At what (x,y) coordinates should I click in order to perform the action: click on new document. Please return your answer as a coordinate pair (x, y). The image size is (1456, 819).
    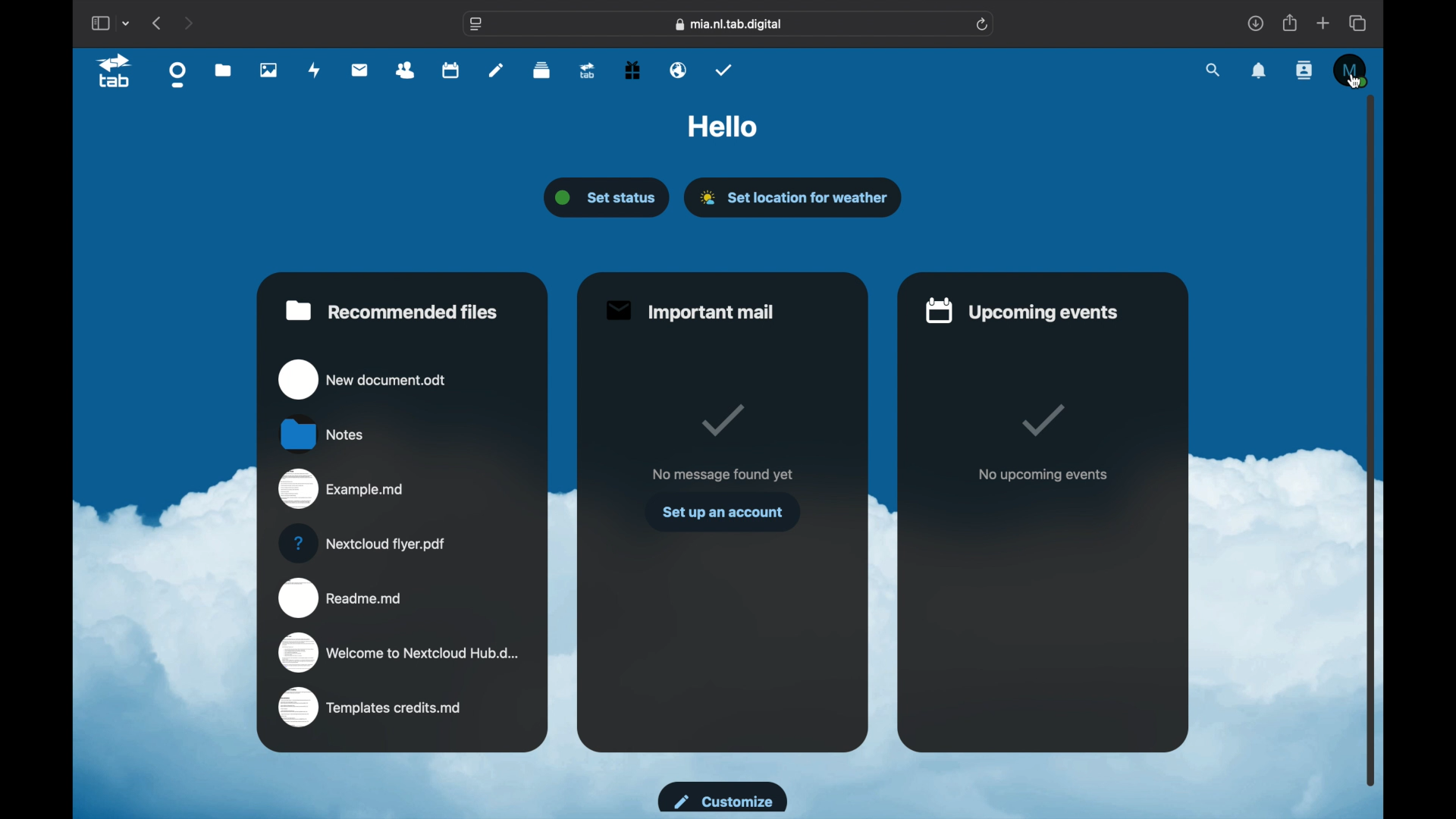
    Looking at the image, I should click on (364, 380).